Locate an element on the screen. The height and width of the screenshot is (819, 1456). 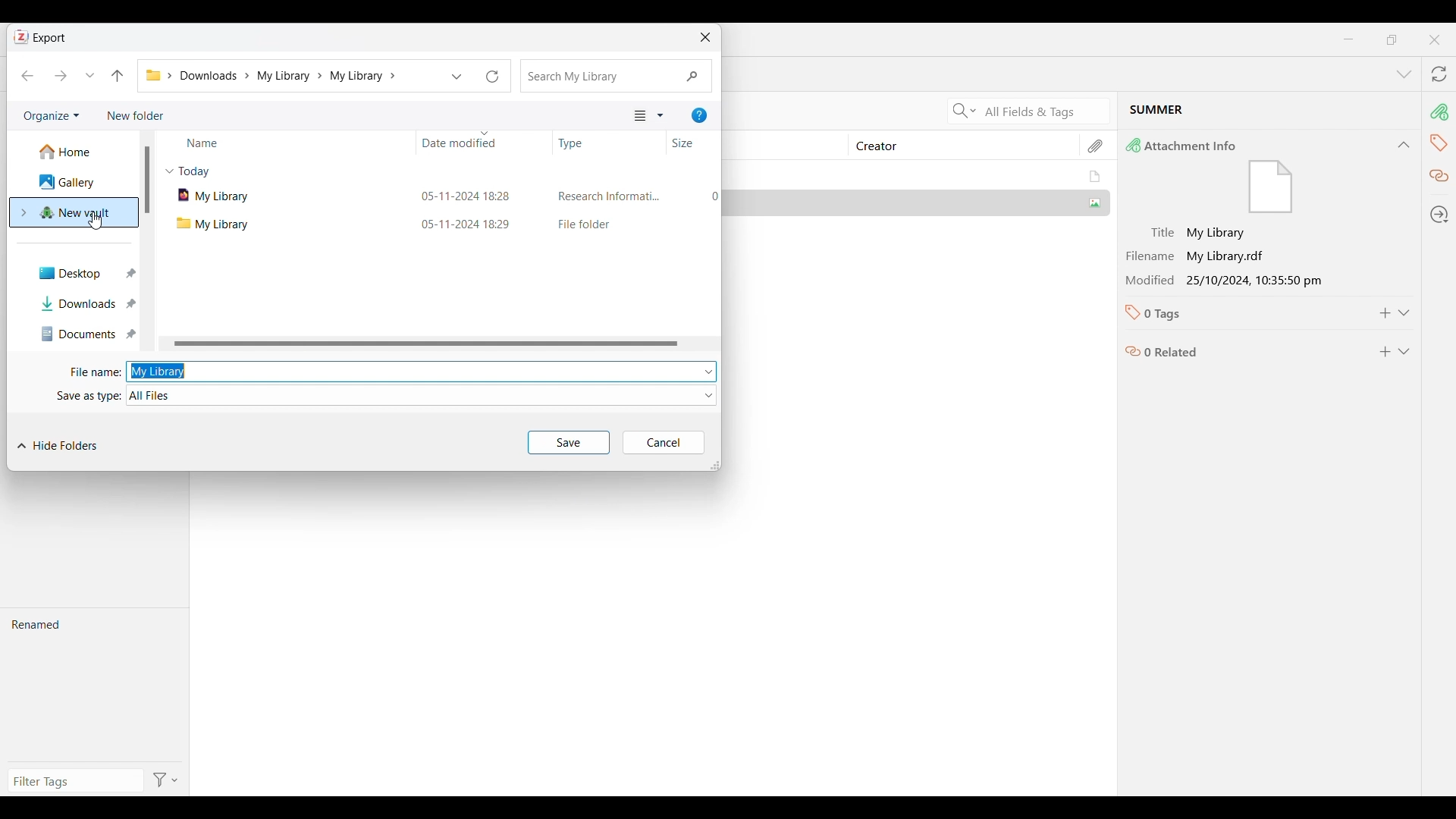
maximize is located at coordinates (1392, 39).